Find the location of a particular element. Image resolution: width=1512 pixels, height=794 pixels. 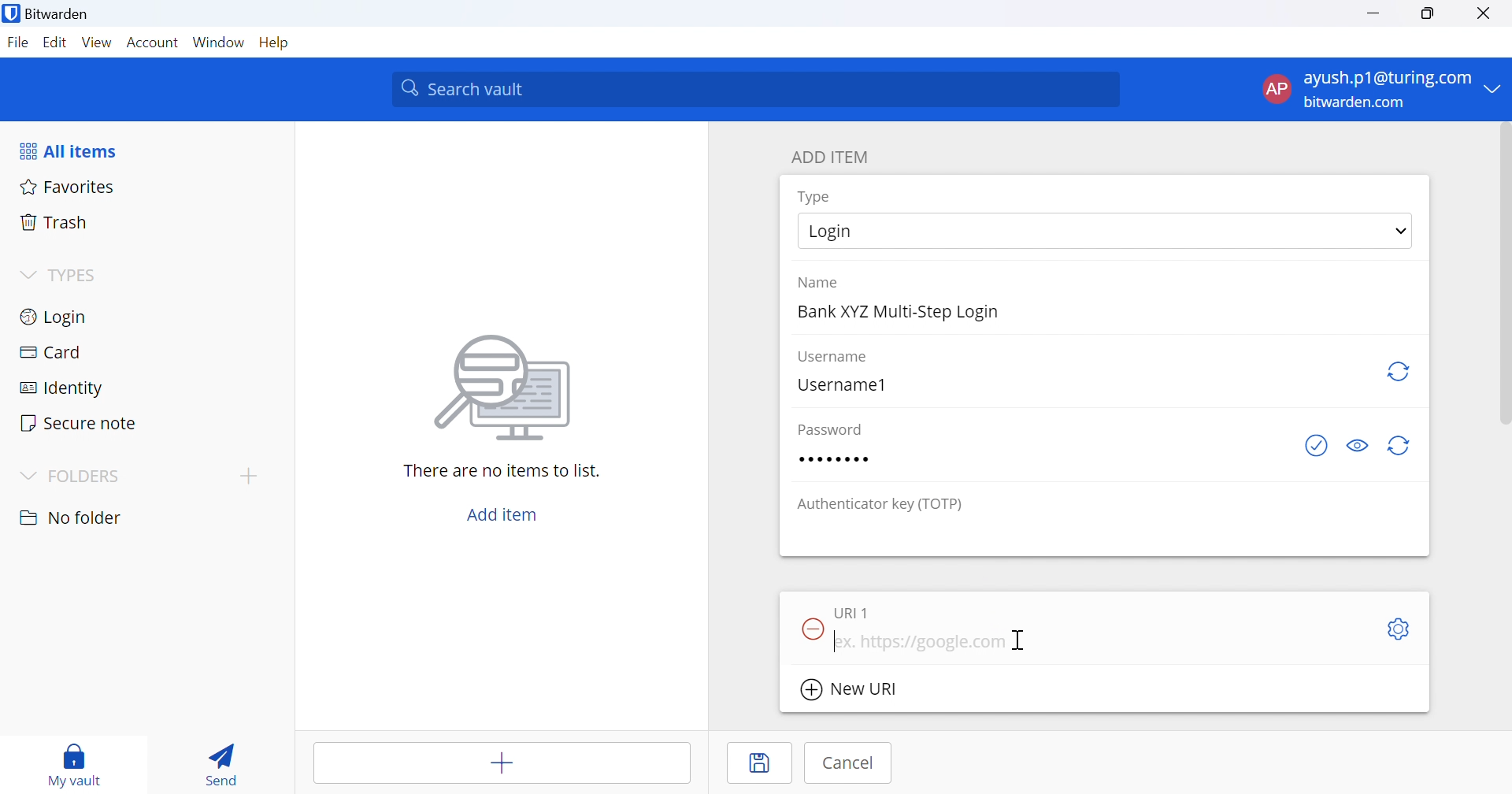

bitwarden.com is located at coordinates (1354, 102).